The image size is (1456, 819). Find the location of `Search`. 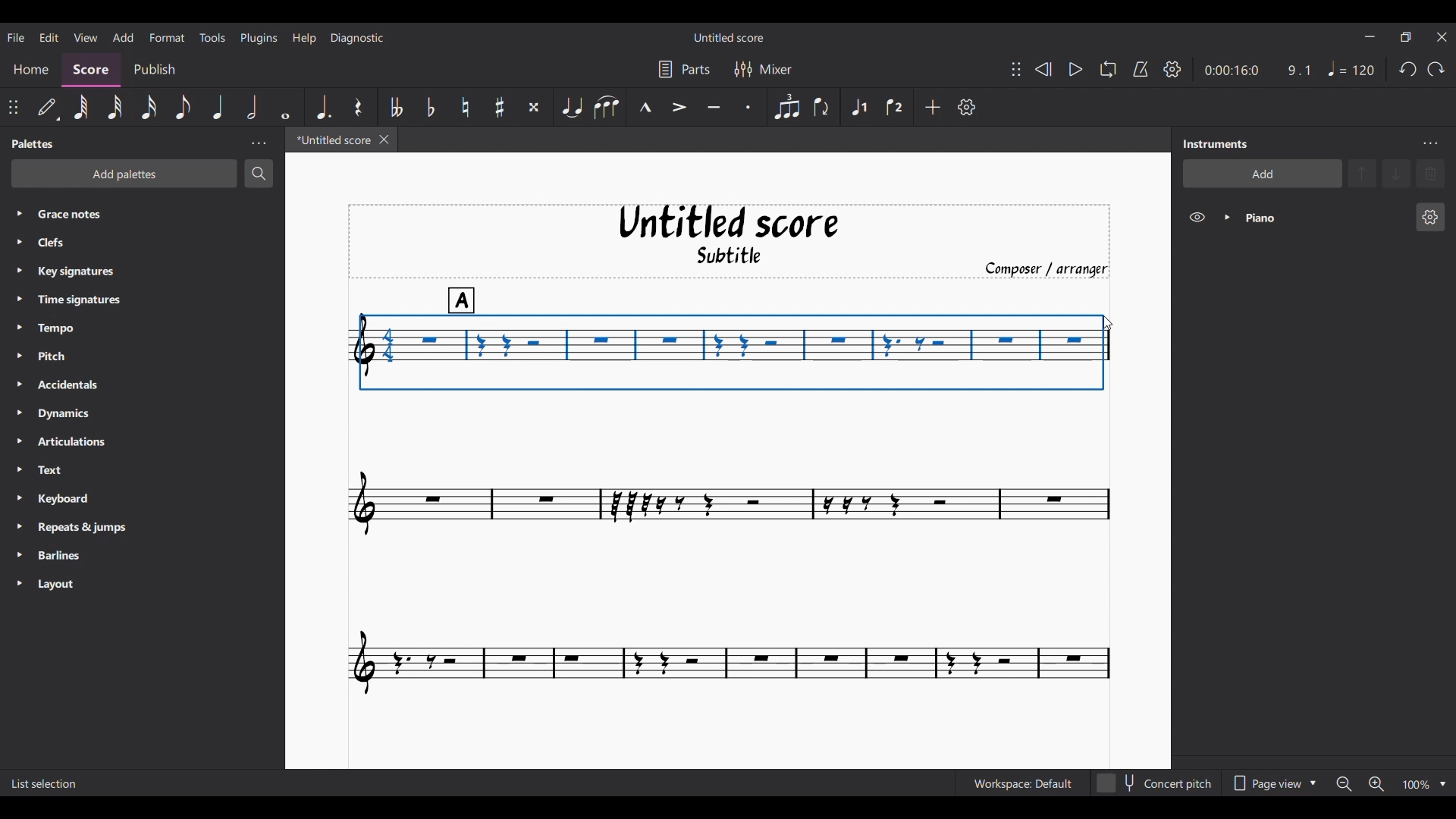

Search is located at coordinates (259, 173).